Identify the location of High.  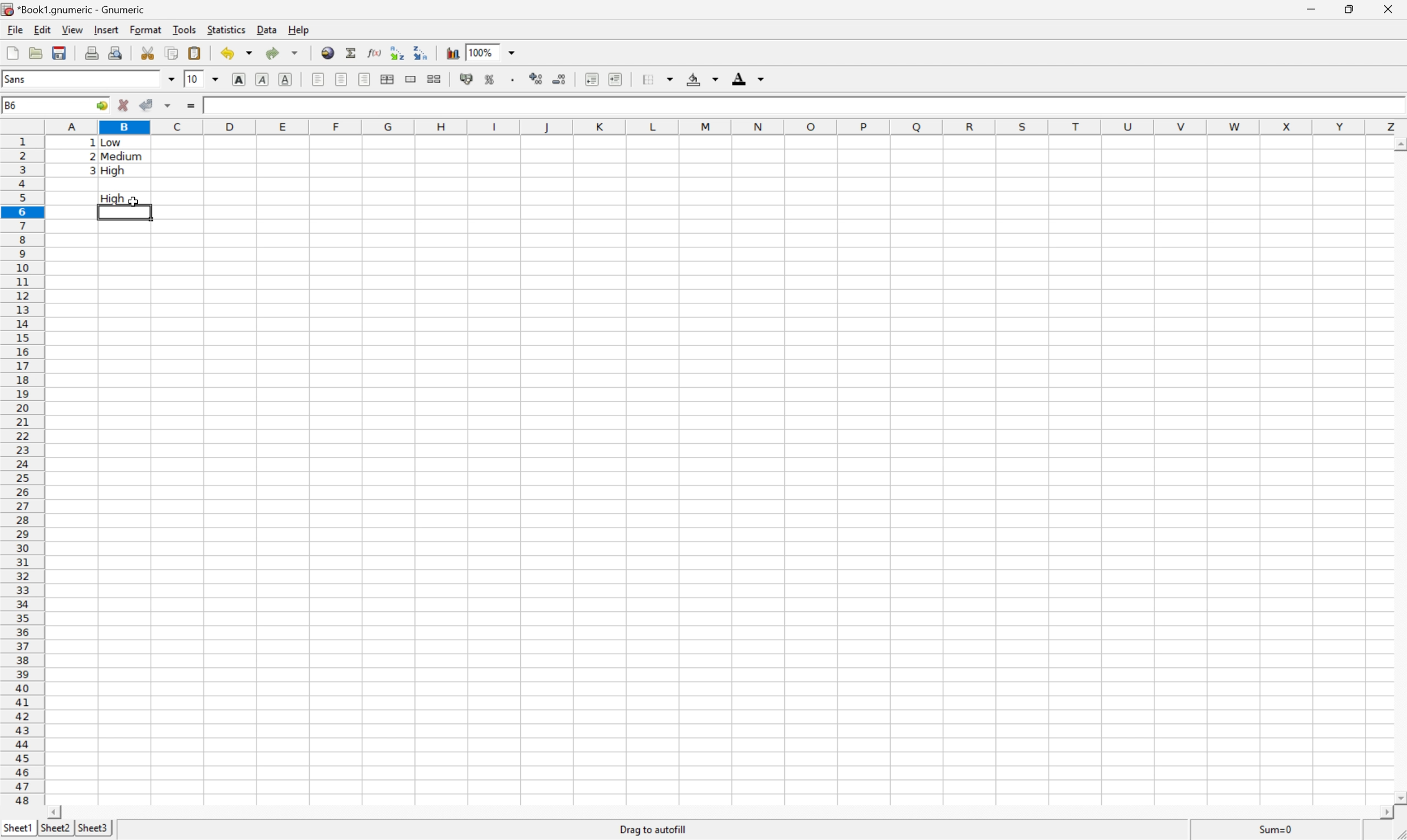
(118, 198).